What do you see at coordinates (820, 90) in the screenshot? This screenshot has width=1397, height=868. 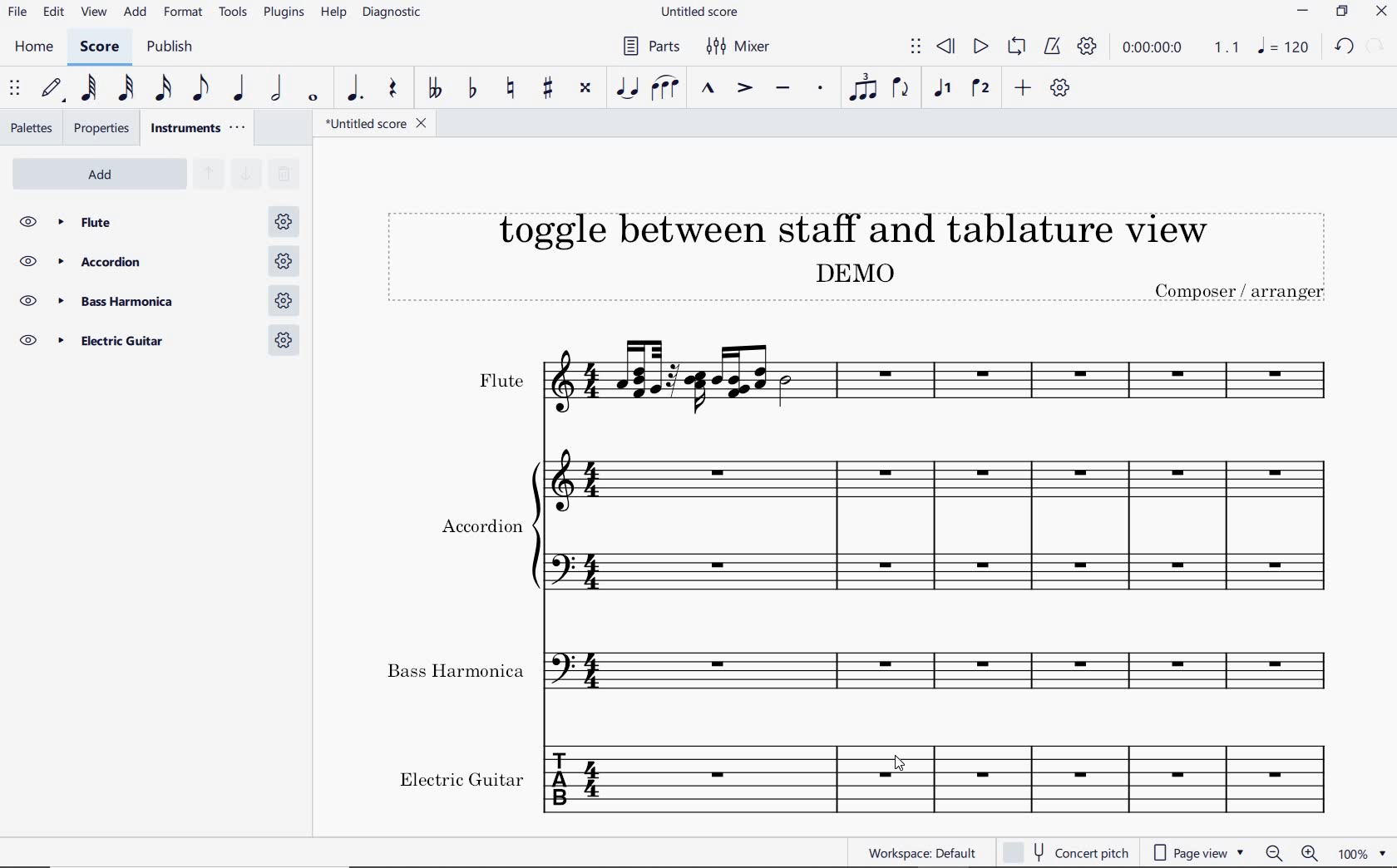 I see `staccato` at bounding box center [820, 90].